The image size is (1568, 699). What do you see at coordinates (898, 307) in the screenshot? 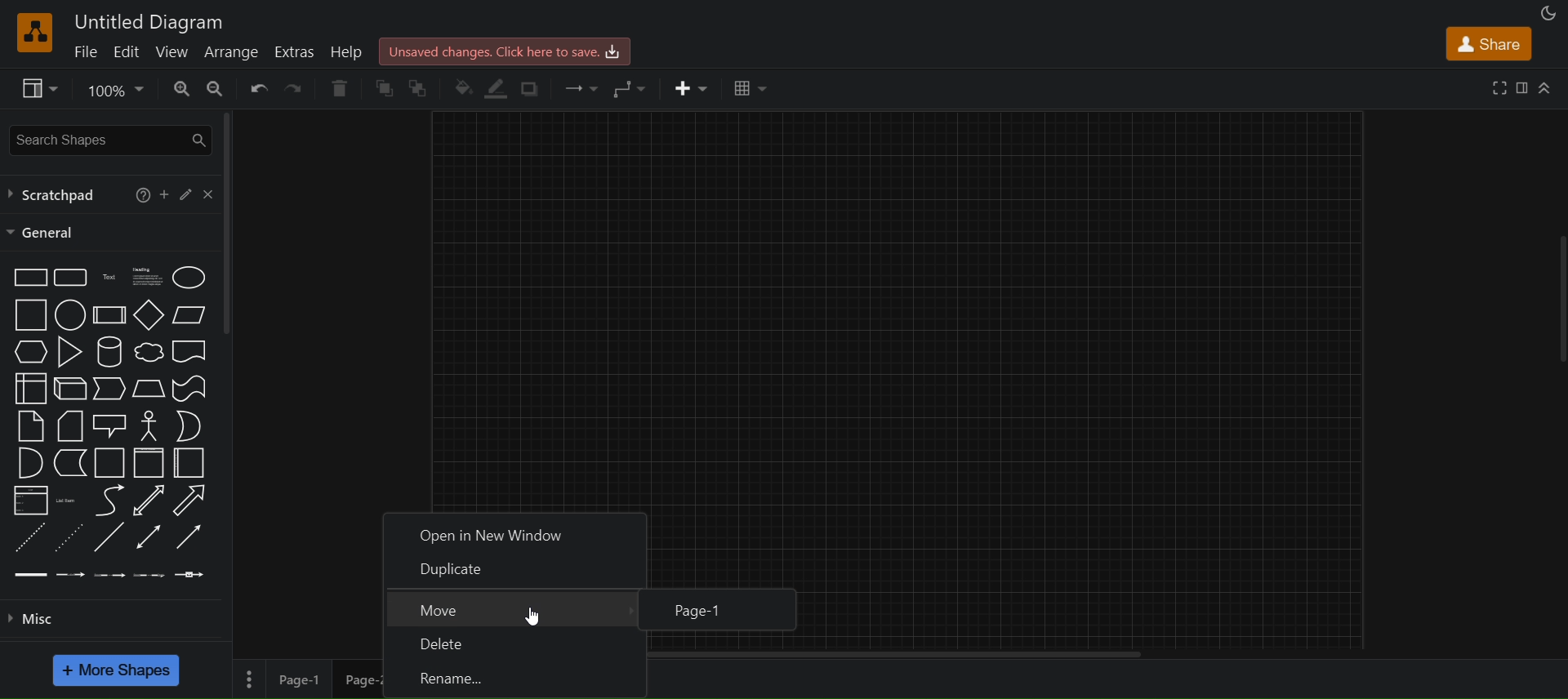
I see `canvas` at bounding box center [898, 307].